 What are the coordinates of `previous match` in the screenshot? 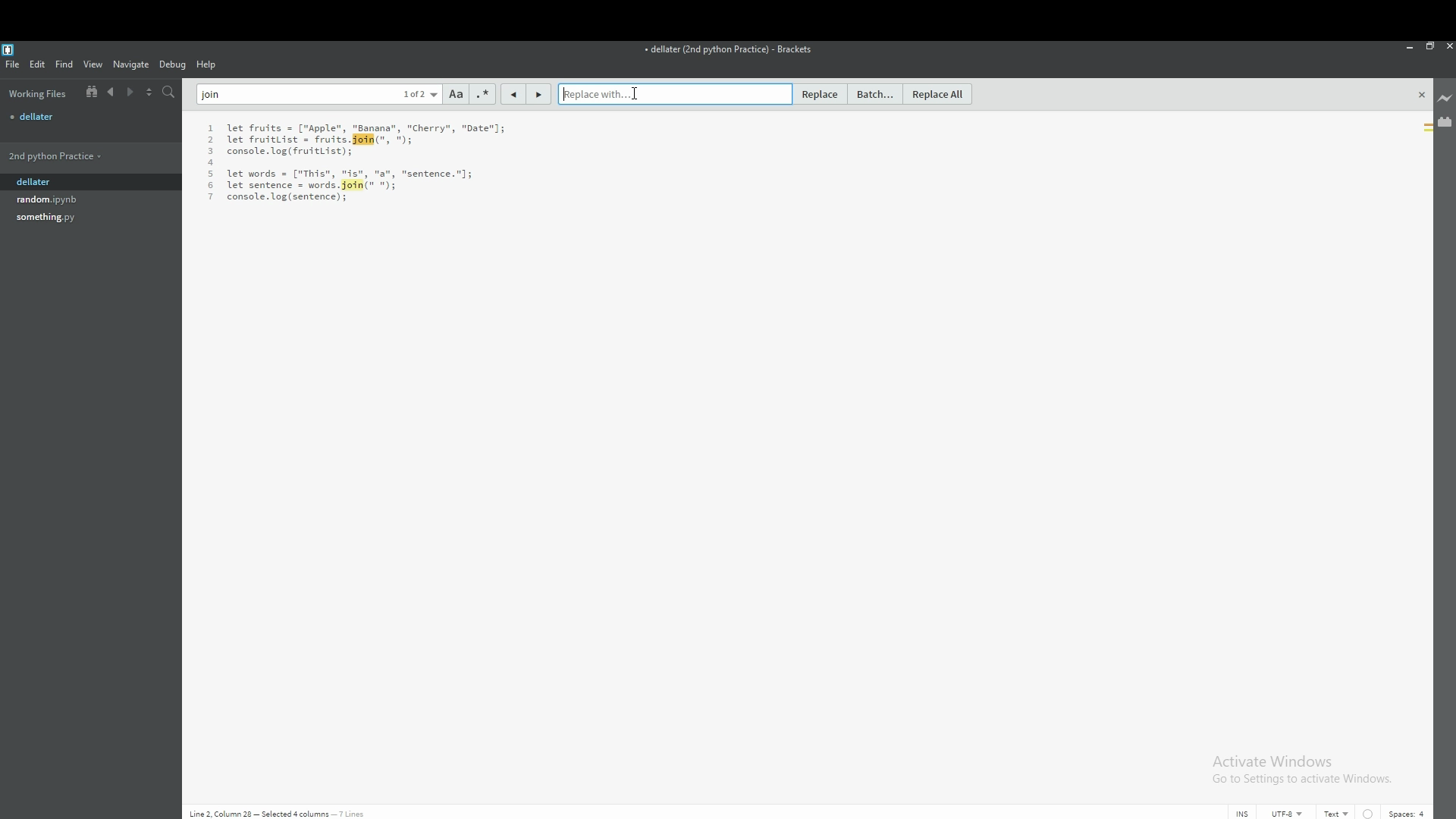 It's located at (512, 95).